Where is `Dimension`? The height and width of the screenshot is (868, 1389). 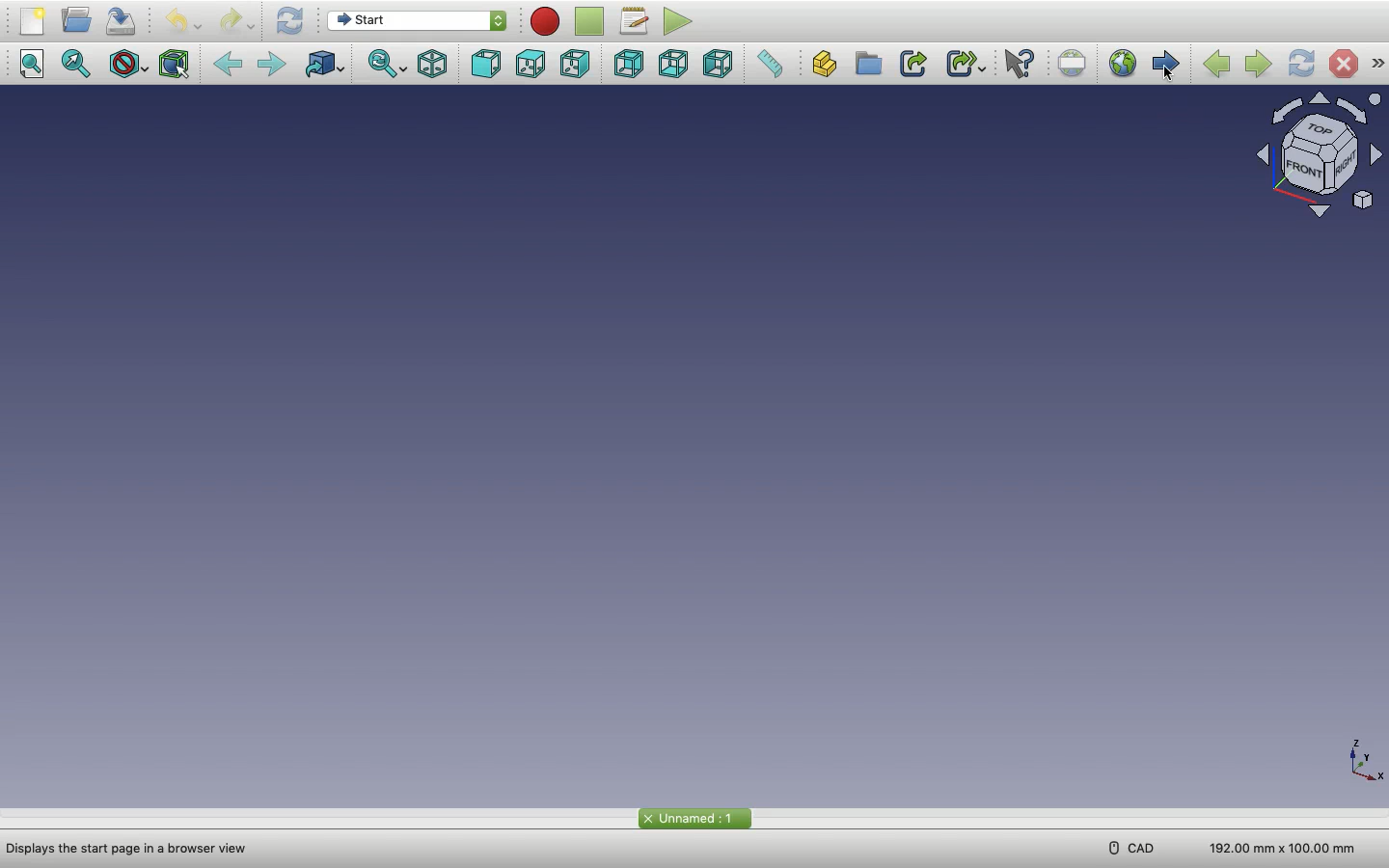
Dimension is located at coordinates (1285, 847).